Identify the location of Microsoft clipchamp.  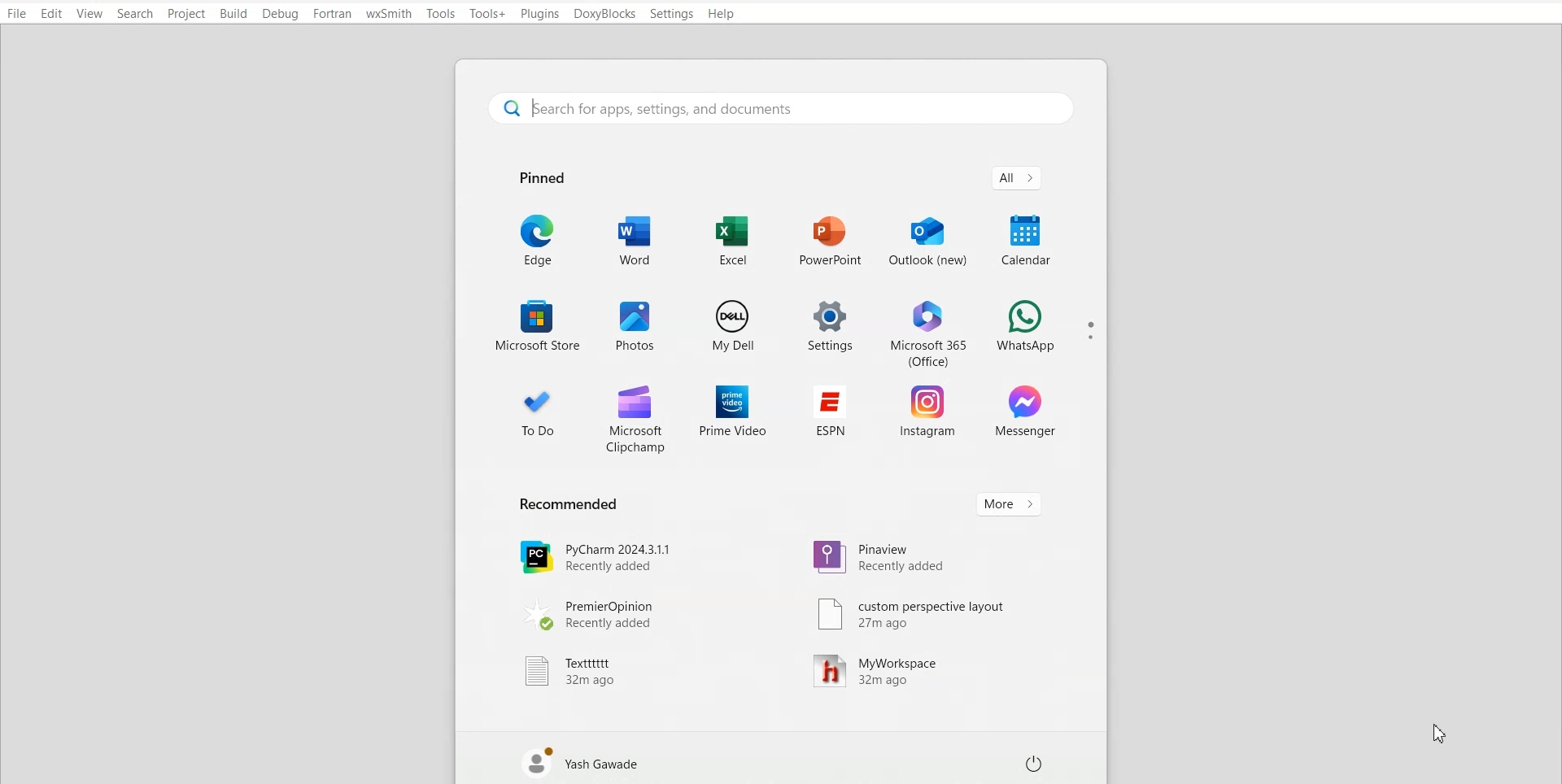
(636, 420).